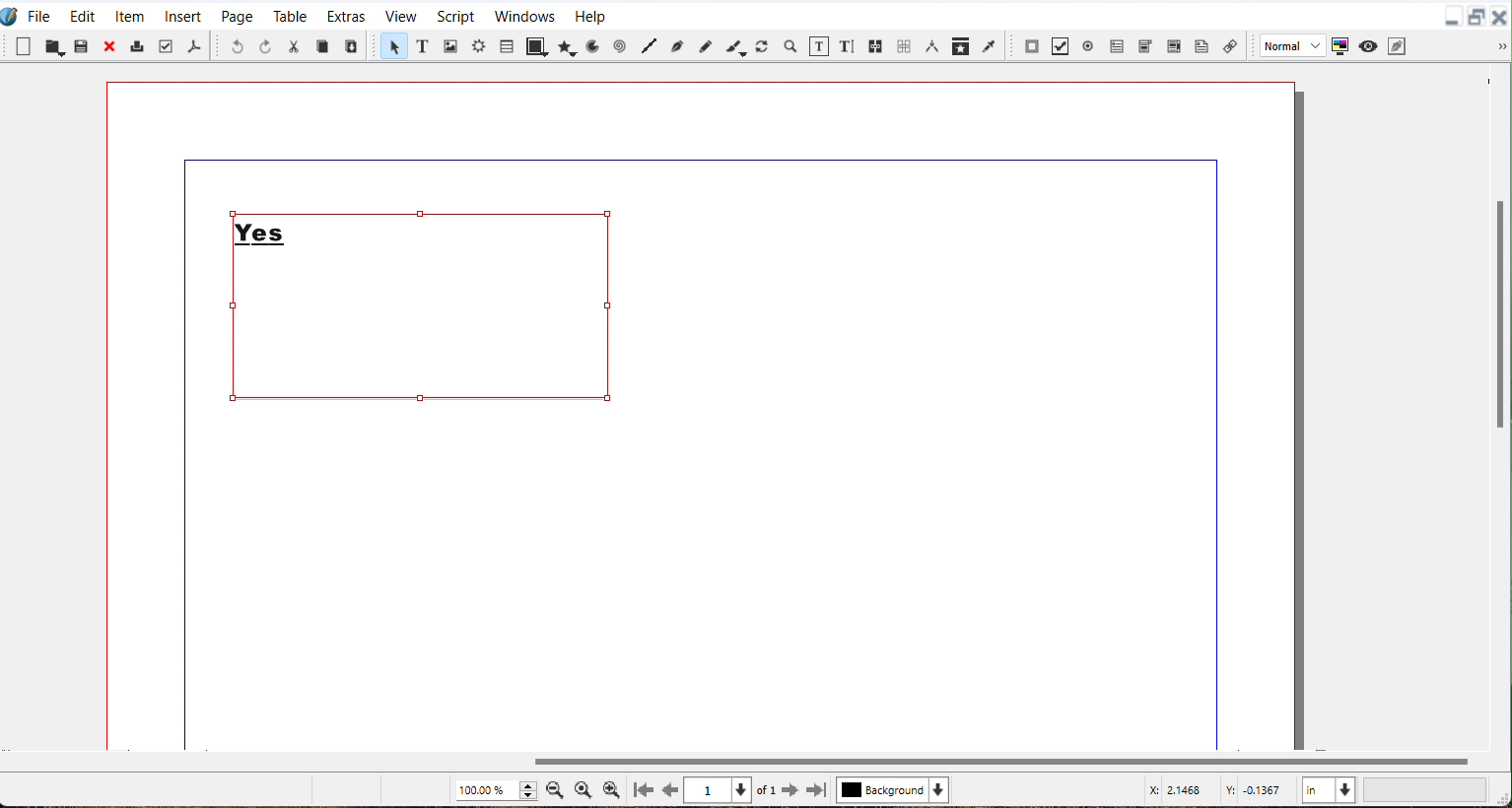  I want to click on Arc, so click(592, 45).